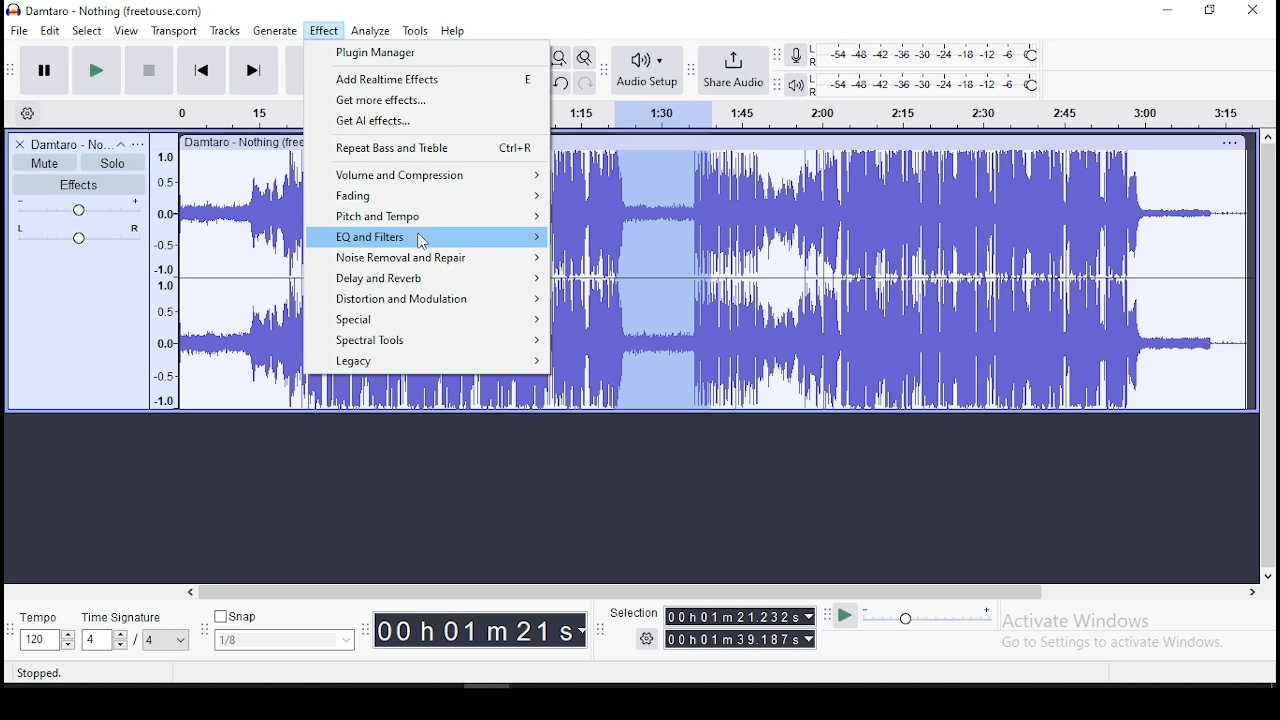  Describe the element at coordinates (366, 628) in the screenshot. I see `` at that location.